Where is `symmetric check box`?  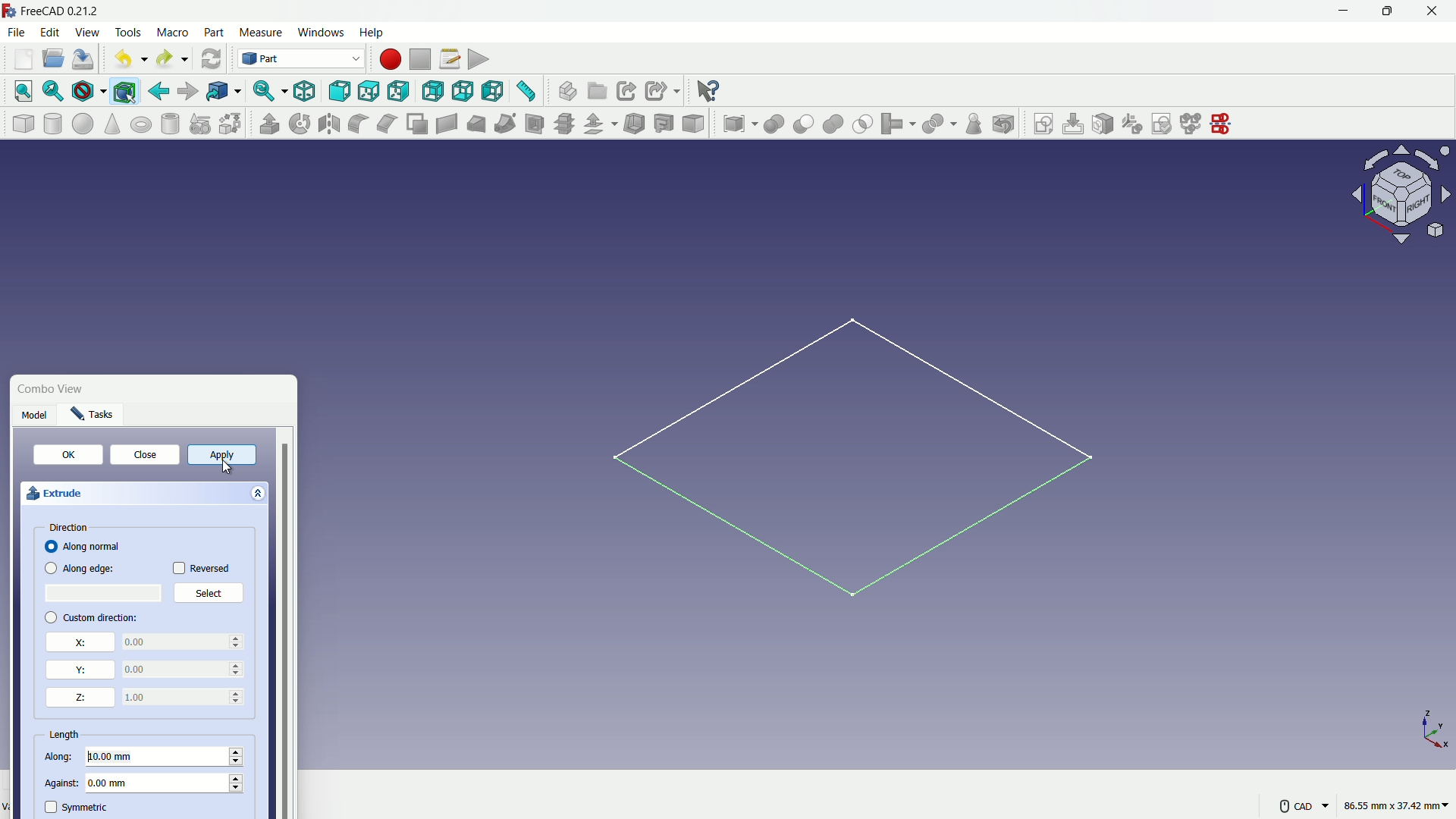
symmetric check box is located at coordinates (48, 806).